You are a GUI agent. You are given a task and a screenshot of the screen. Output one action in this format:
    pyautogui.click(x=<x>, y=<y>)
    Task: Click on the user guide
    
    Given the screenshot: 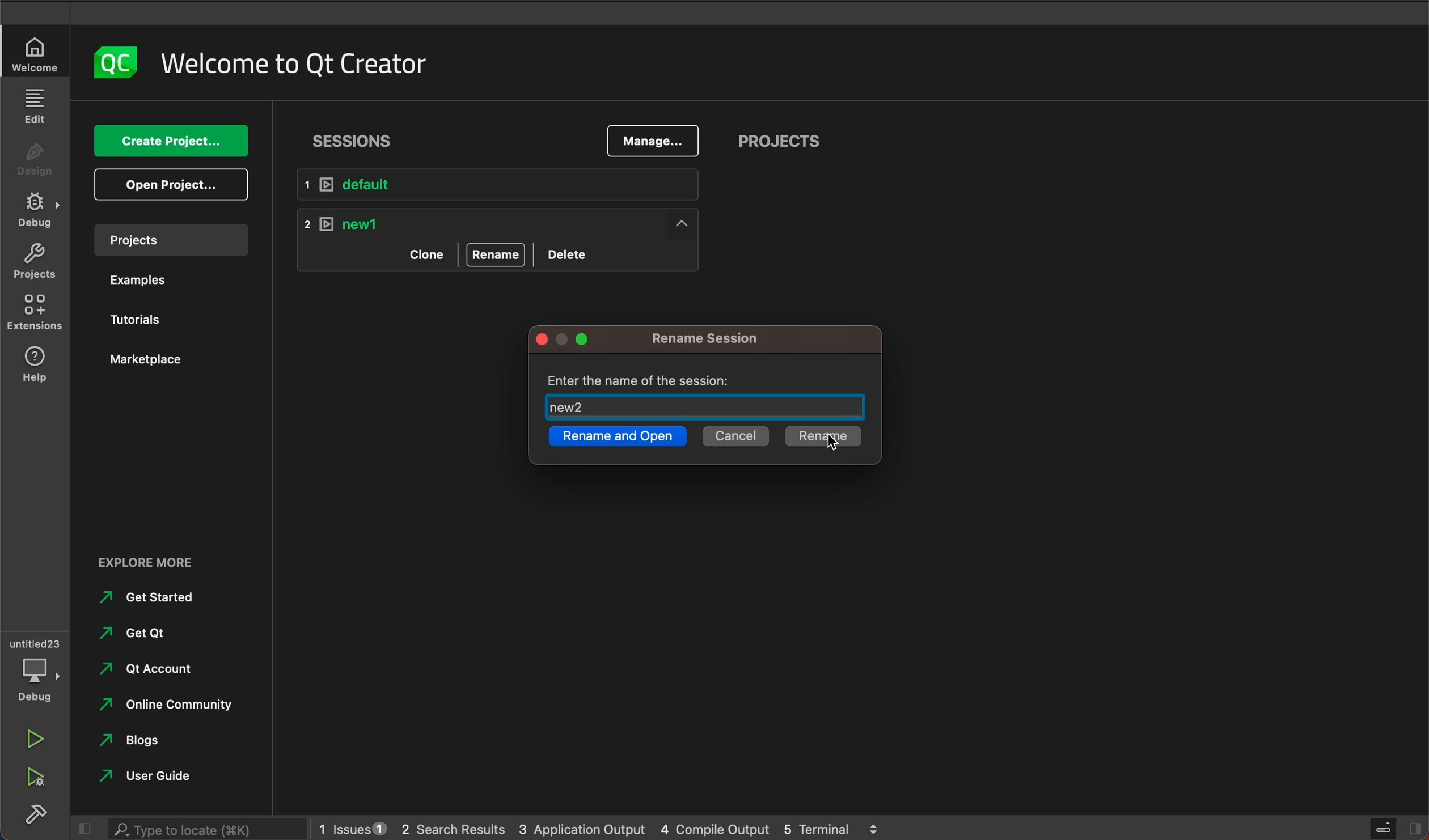 What is the action you would take?
    pyautogui.click(x=158, y=777)
    